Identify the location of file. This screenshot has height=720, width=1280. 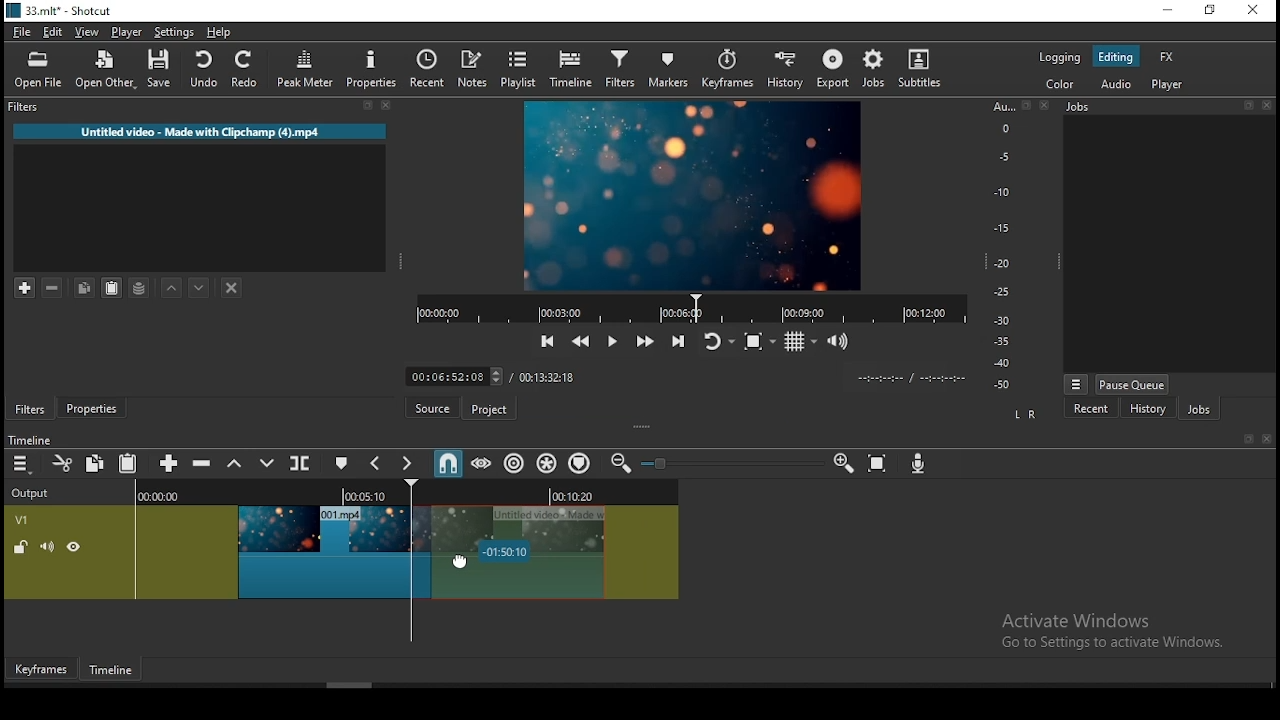
(23, 32).